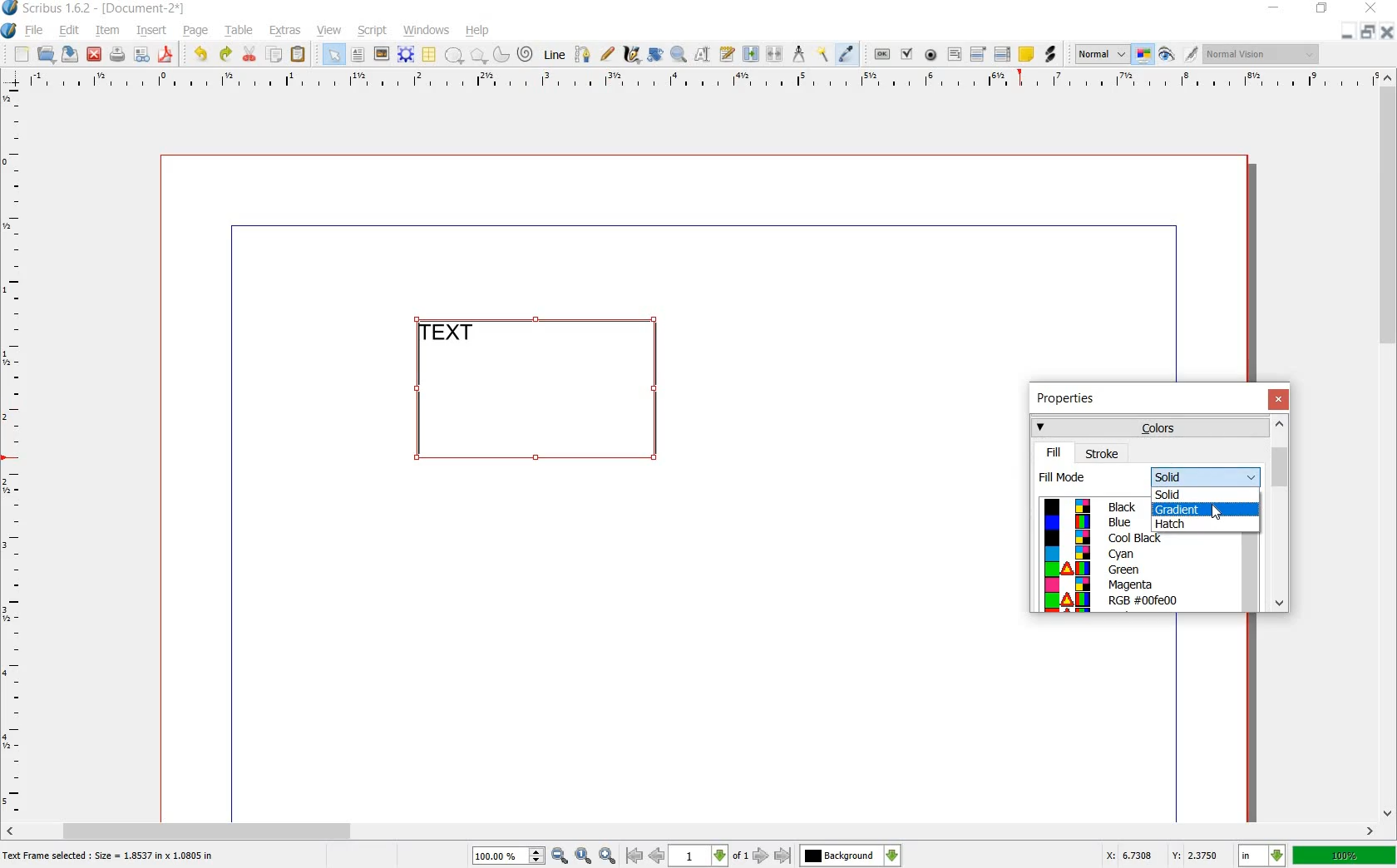  Describe the element at coordinates (285, 31) in the screenshot. I see `extras` at that location.